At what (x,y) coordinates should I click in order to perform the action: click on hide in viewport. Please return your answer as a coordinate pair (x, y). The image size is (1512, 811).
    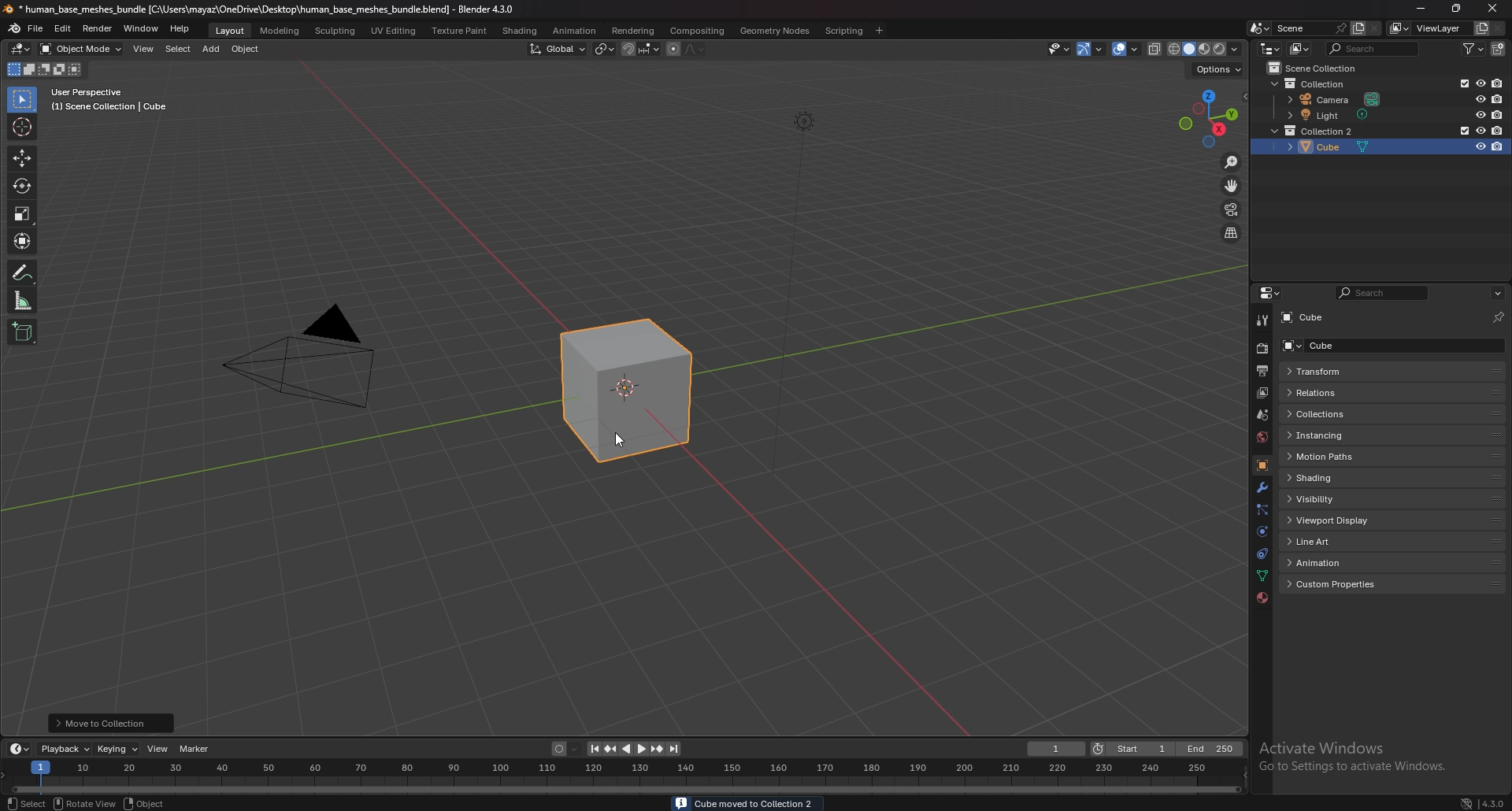
    Looking at the image, I should click on (1480, 83).